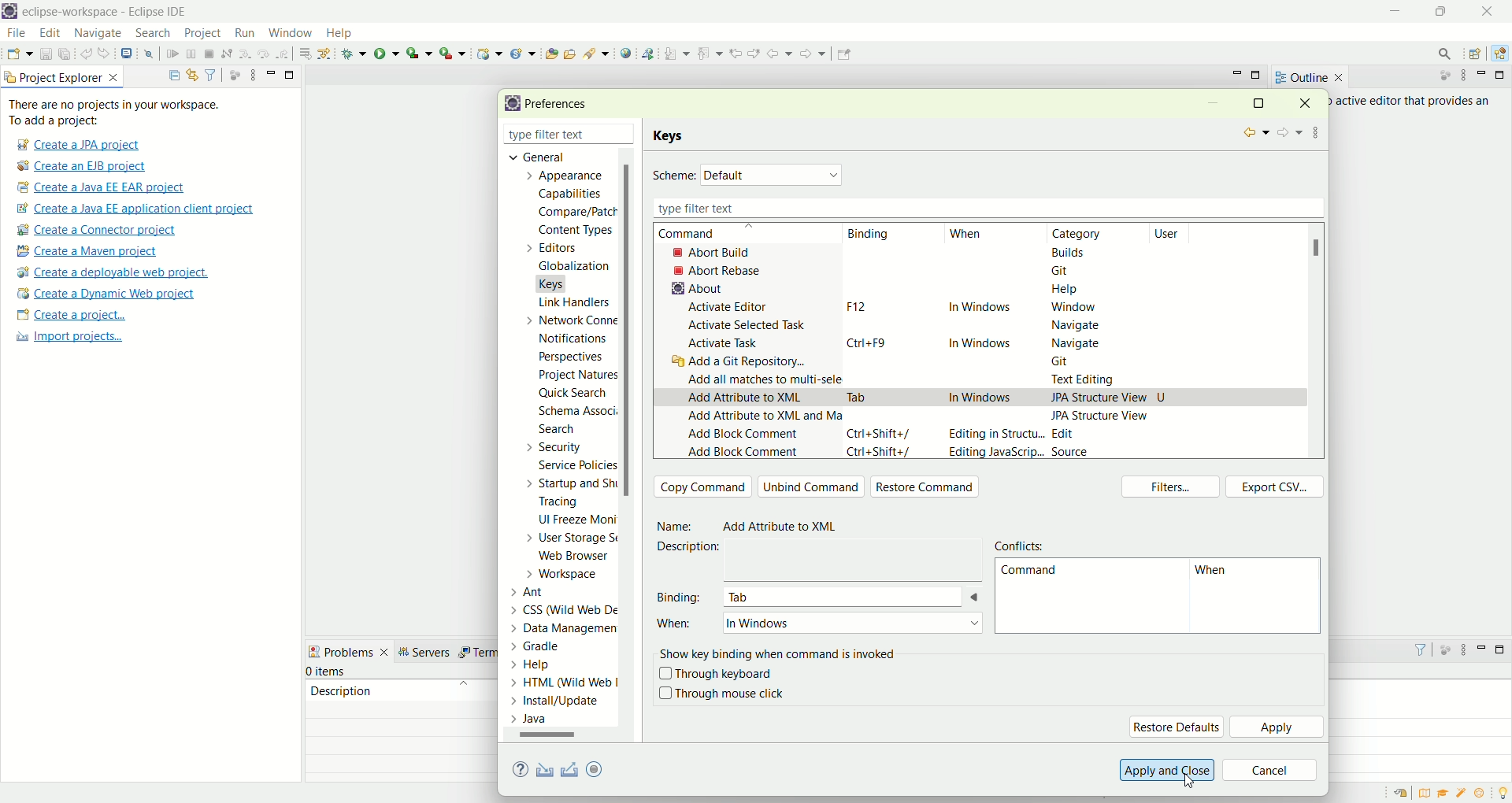 The image size is (1512, 803). I want to click on Help, so click(547, 666).